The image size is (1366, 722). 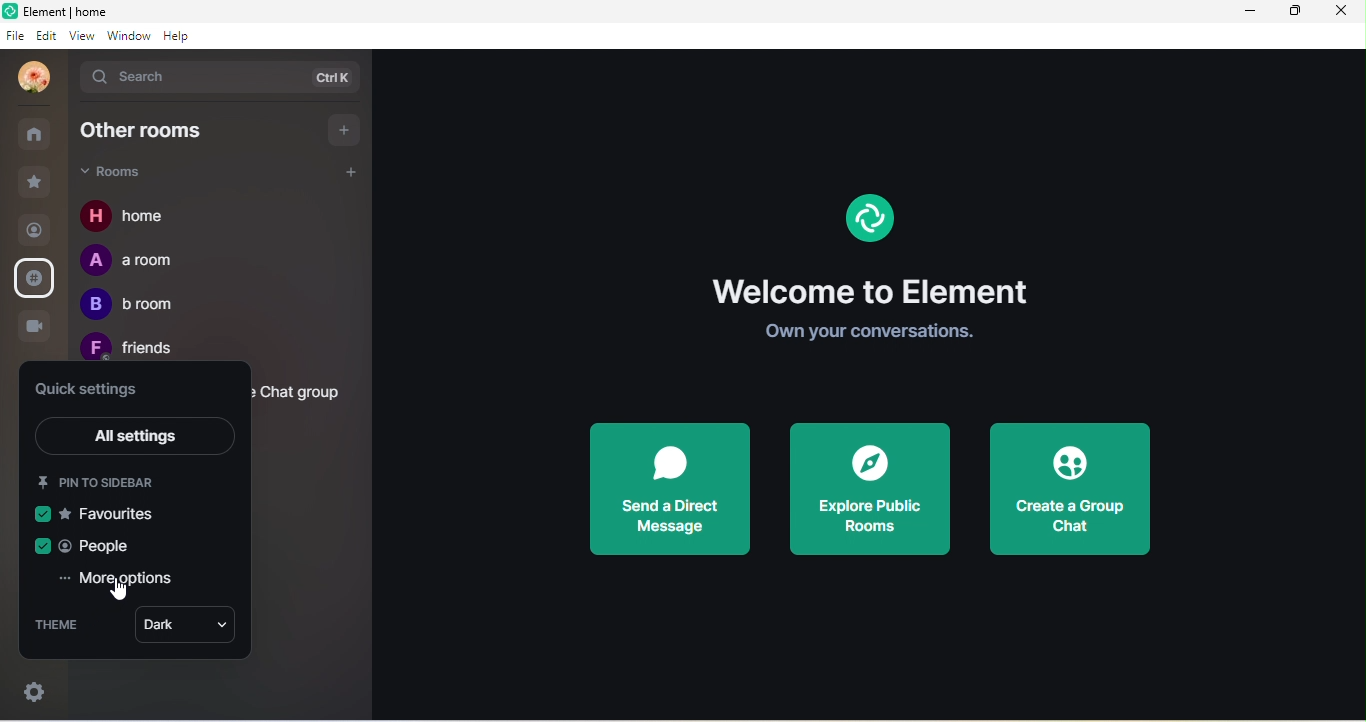 What do you see at coordinates (10, 12) in the screenshot?
I see `logo` at bounding box center [10, 12].